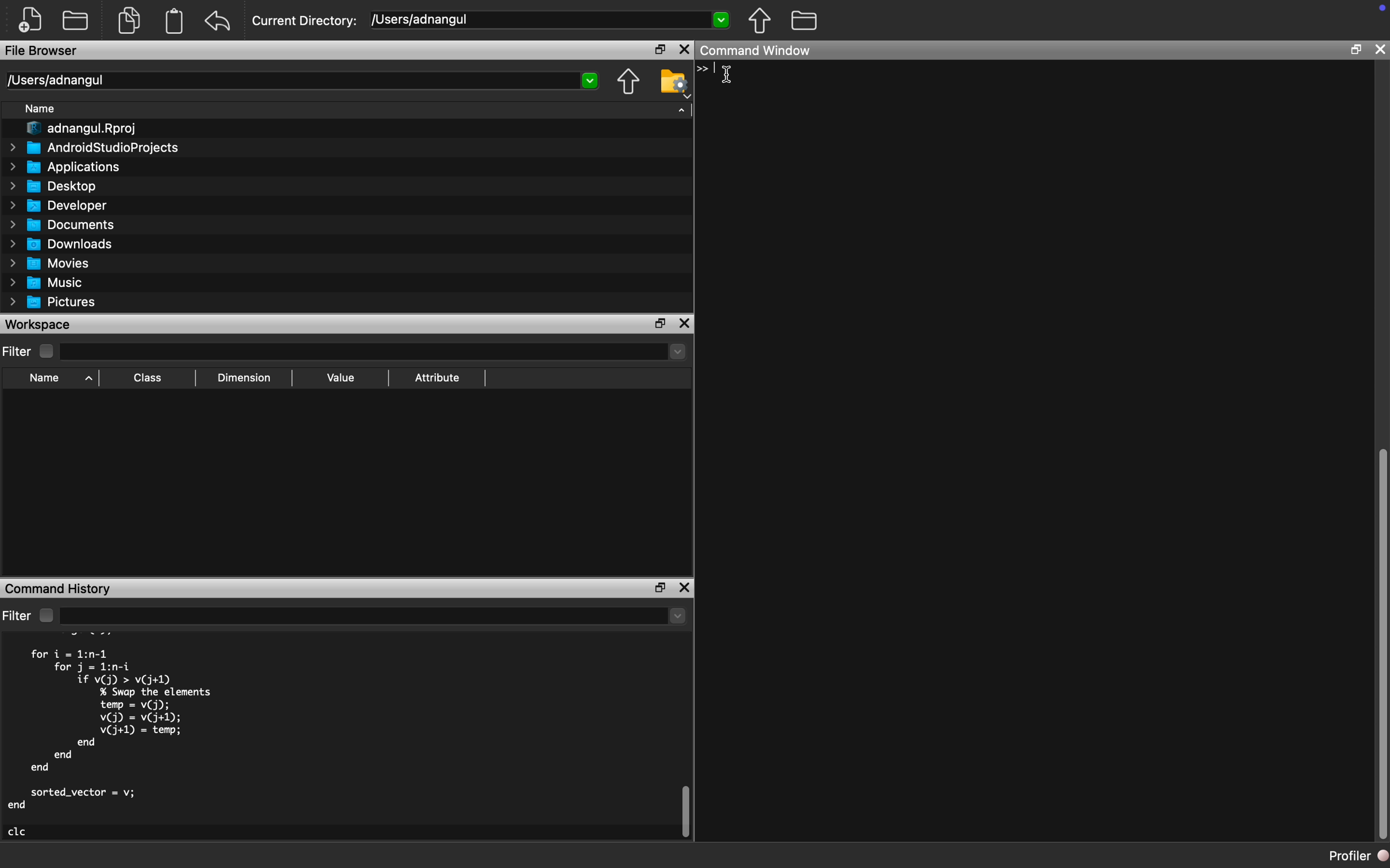  Describe the element at coordinates (242, 378) in the screenshot. I see `Dimension` at that location.